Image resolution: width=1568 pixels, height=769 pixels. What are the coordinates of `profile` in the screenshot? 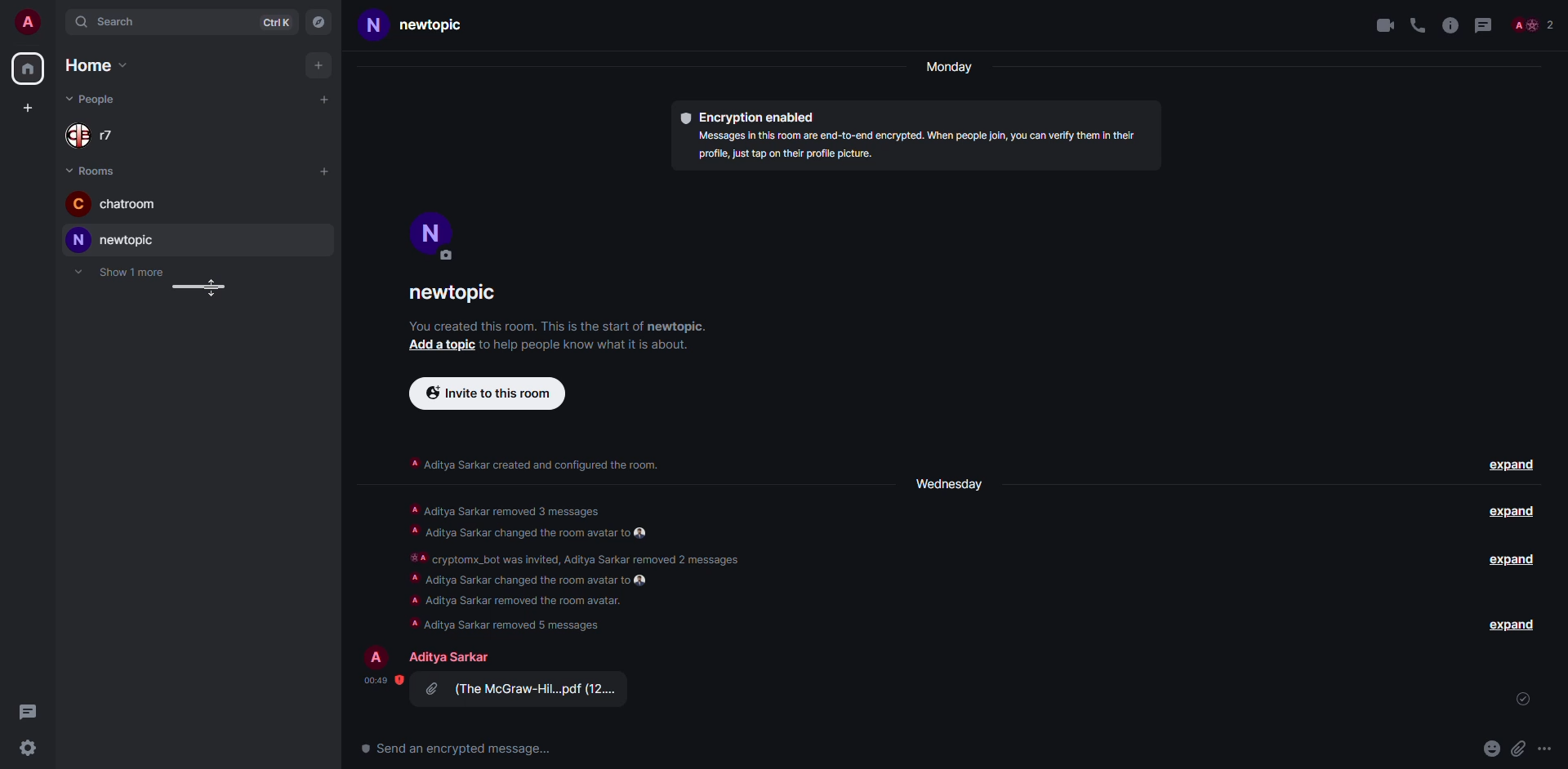 It's located at (25, 21).